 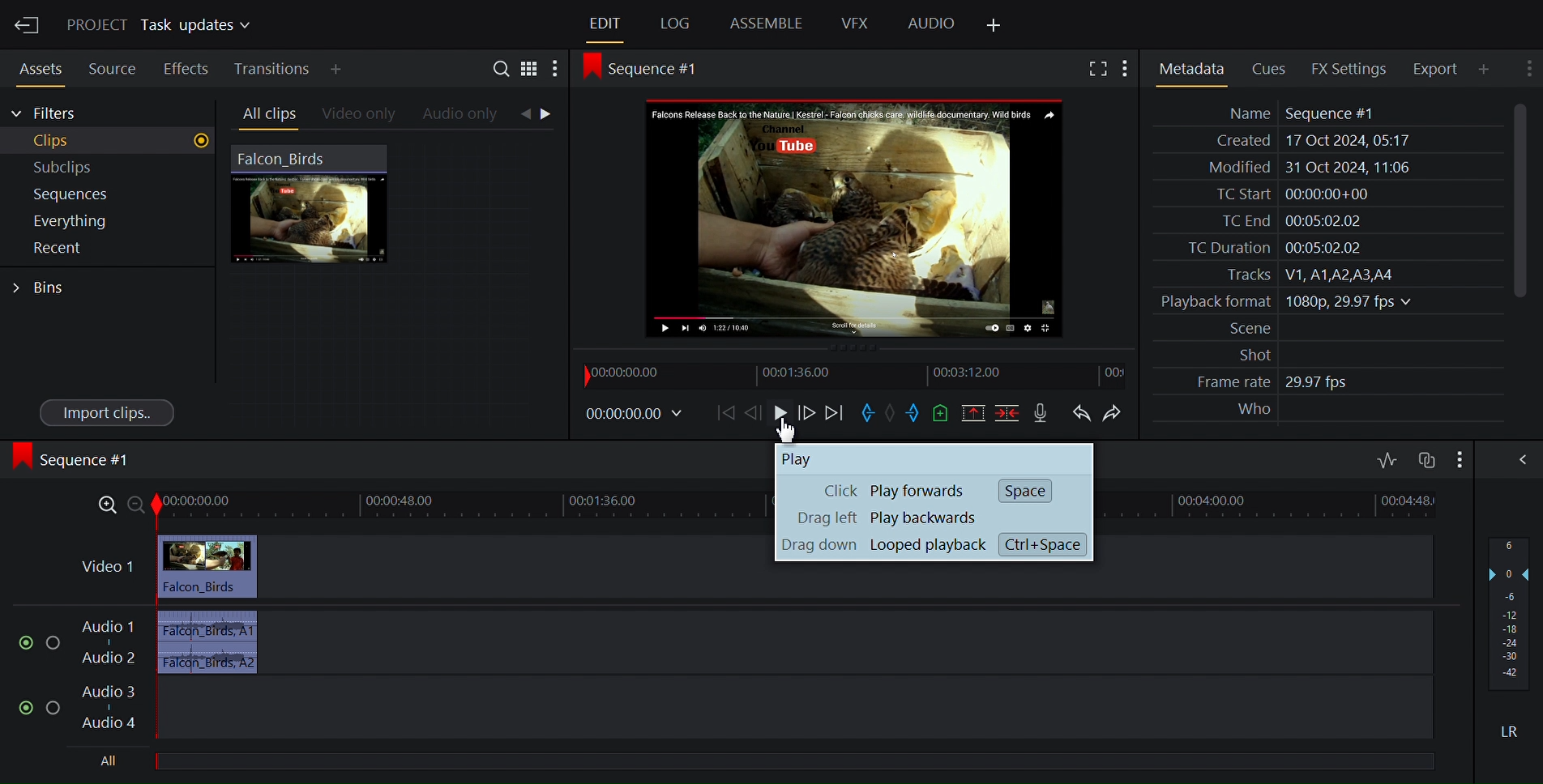 I want to click on Shot, so click(x=1245, y=355).